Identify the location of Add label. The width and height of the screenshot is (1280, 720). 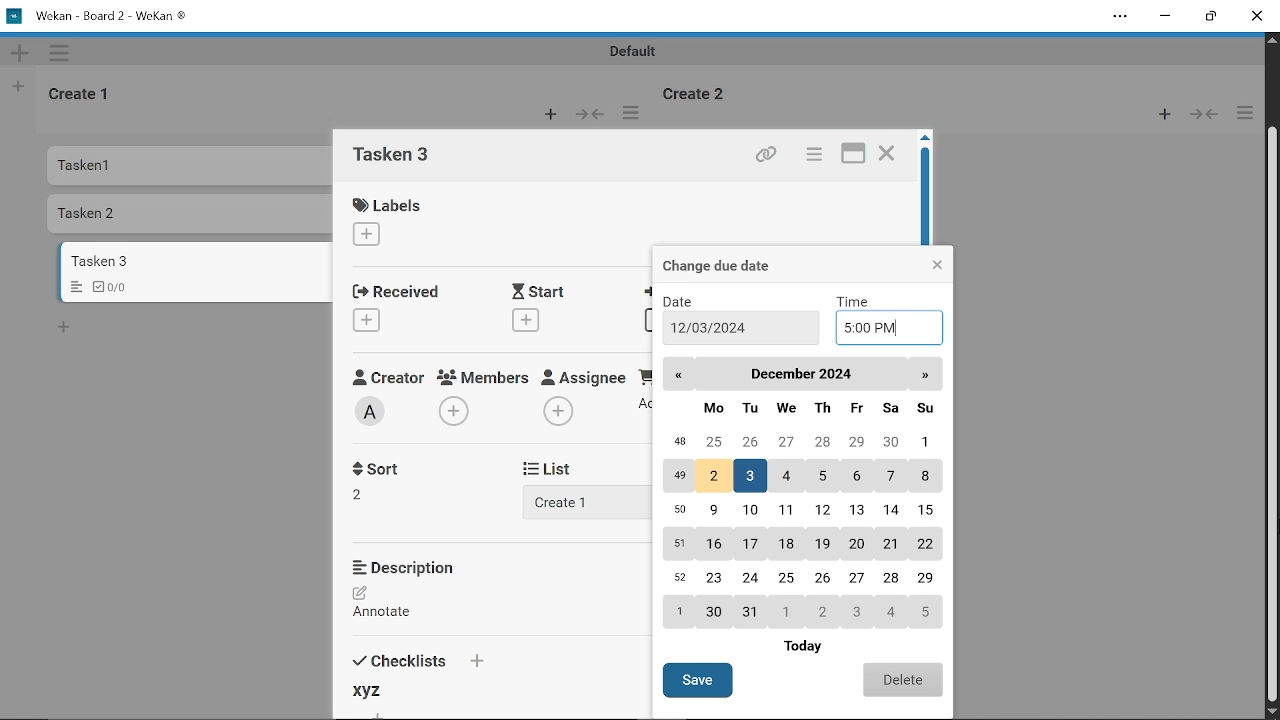
(376, 236).